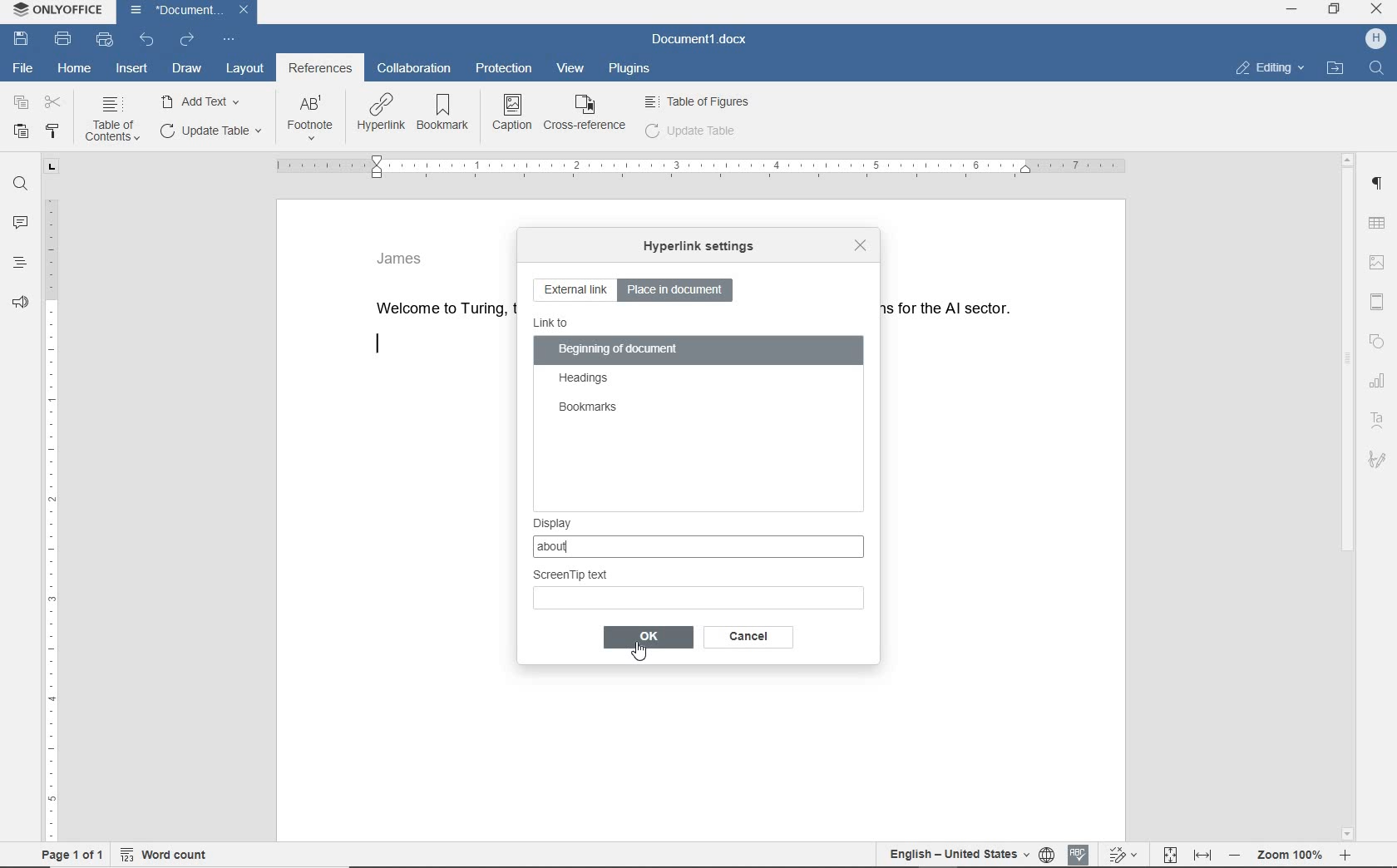 The height and width of the screenshot is (868, 1397). Describe the element at coordinates (575, 291) in the screenshot. I see `external link` at that location.